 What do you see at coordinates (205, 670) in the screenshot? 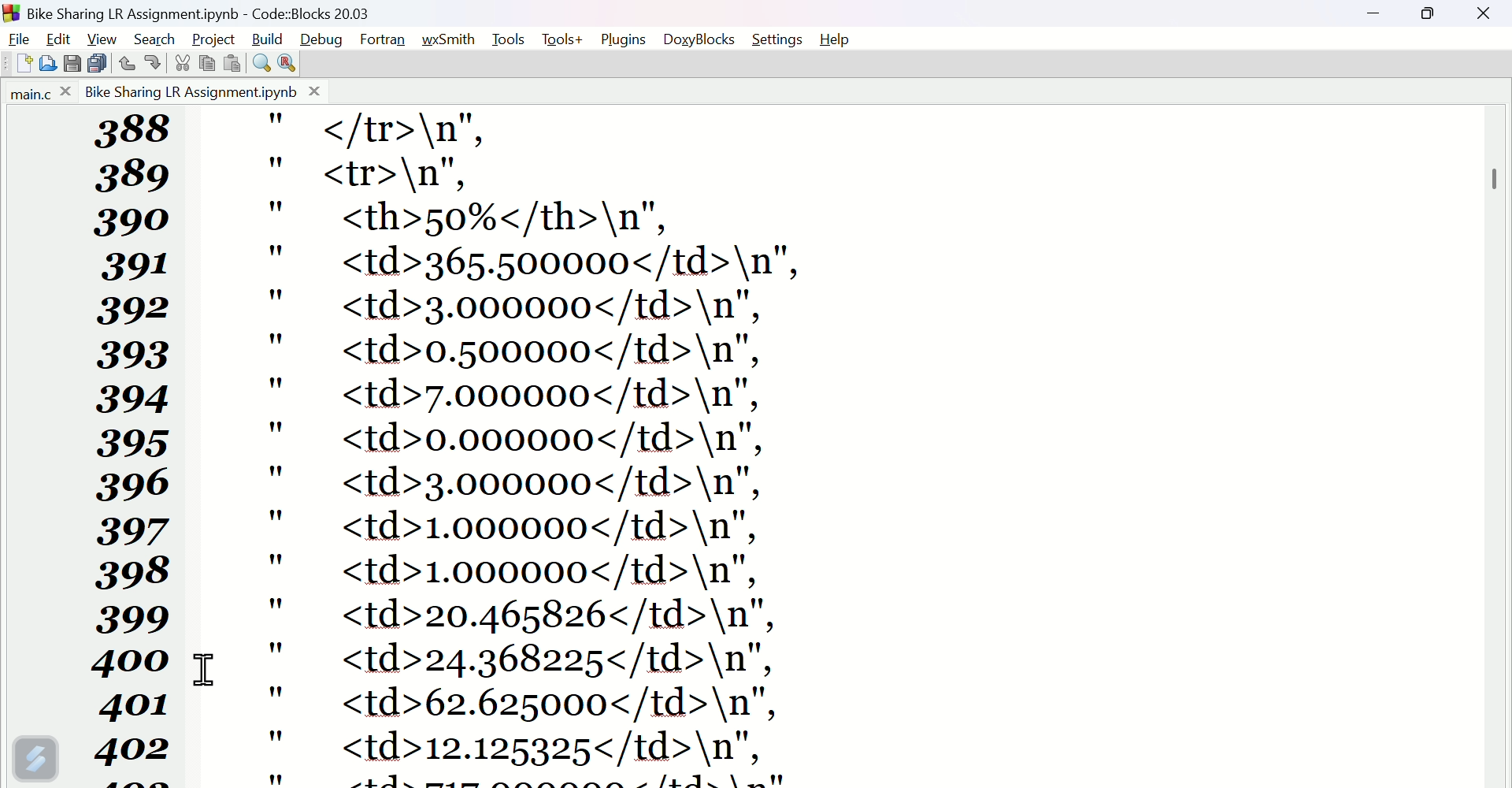
I see `Text Cursor` at bounding box center [205, 670].